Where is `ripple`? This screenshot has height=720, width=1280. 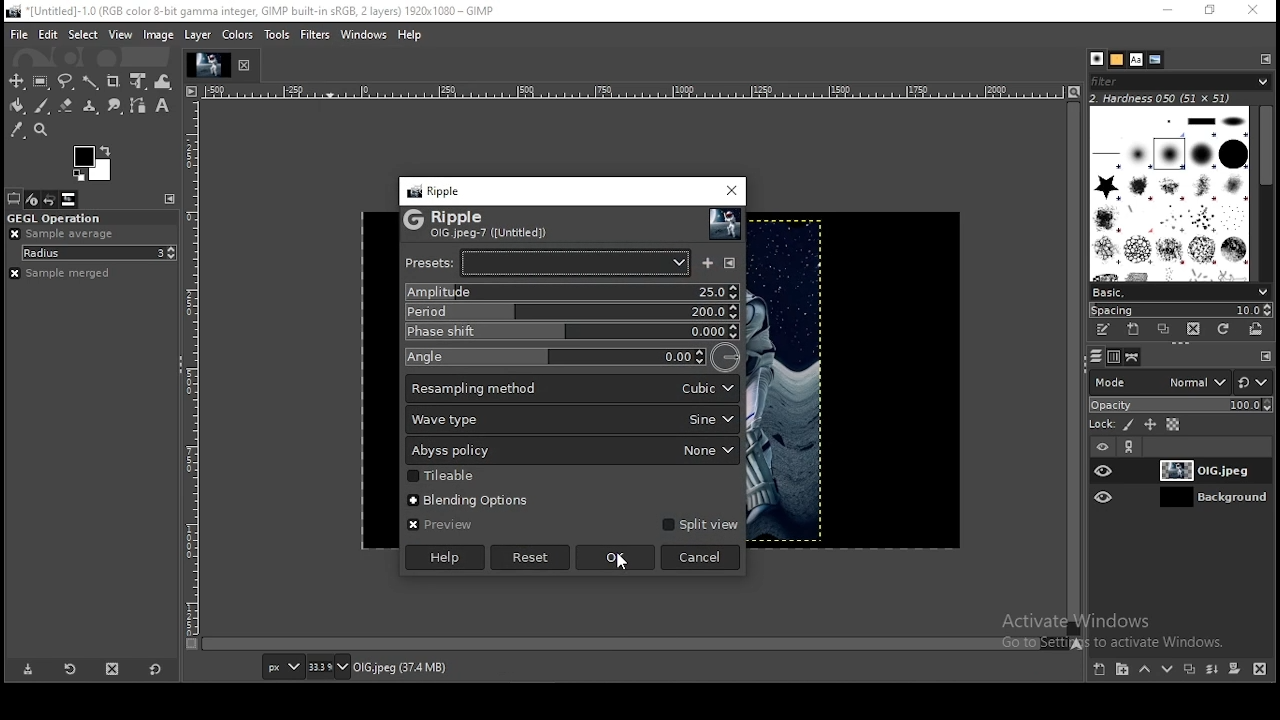
ripple is located at coordinates (436, 190).